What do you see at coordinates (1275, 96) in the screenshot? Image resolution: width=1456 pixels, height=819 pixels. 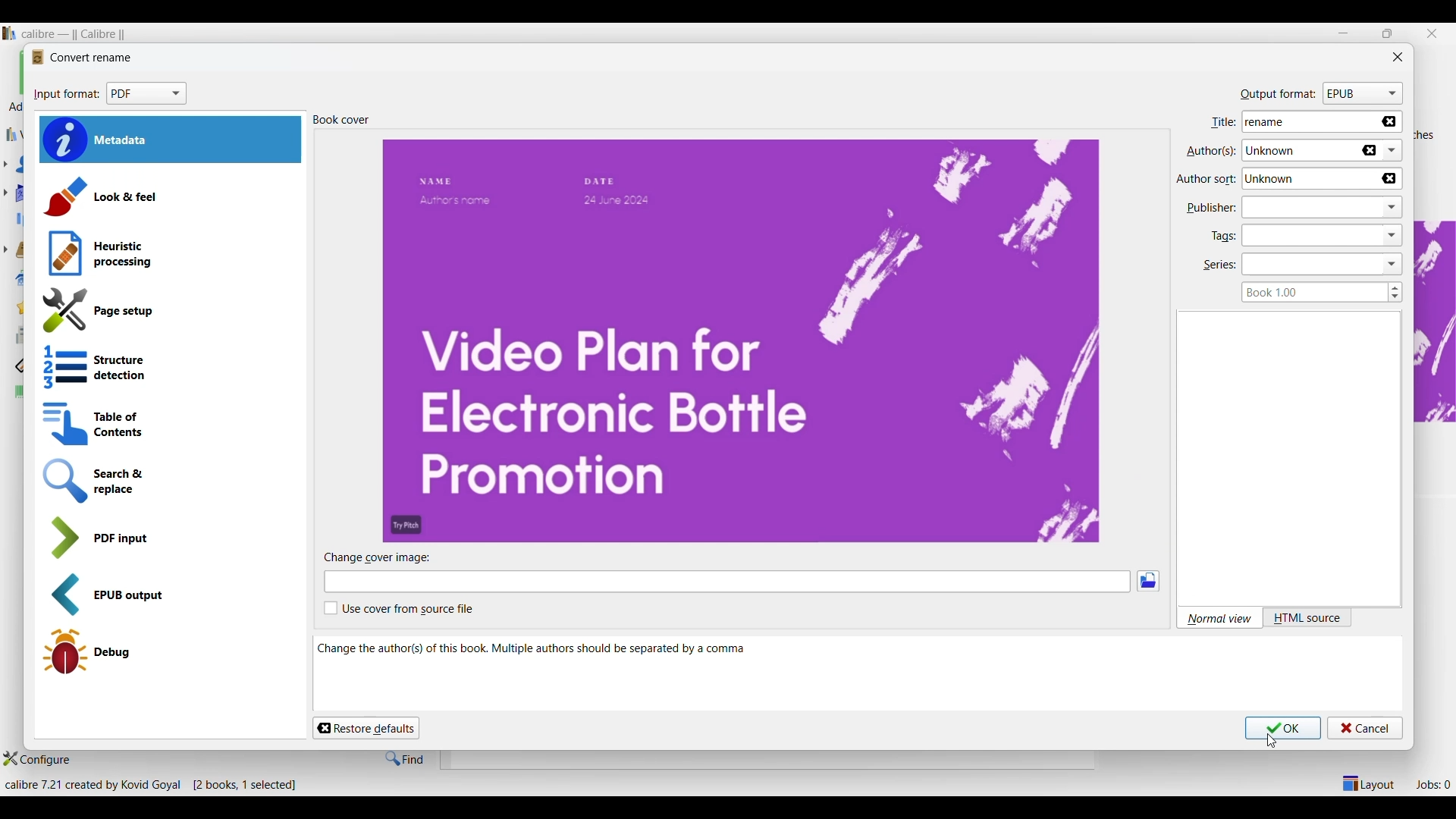 I see `output format` at bounding box center [1275, 96].